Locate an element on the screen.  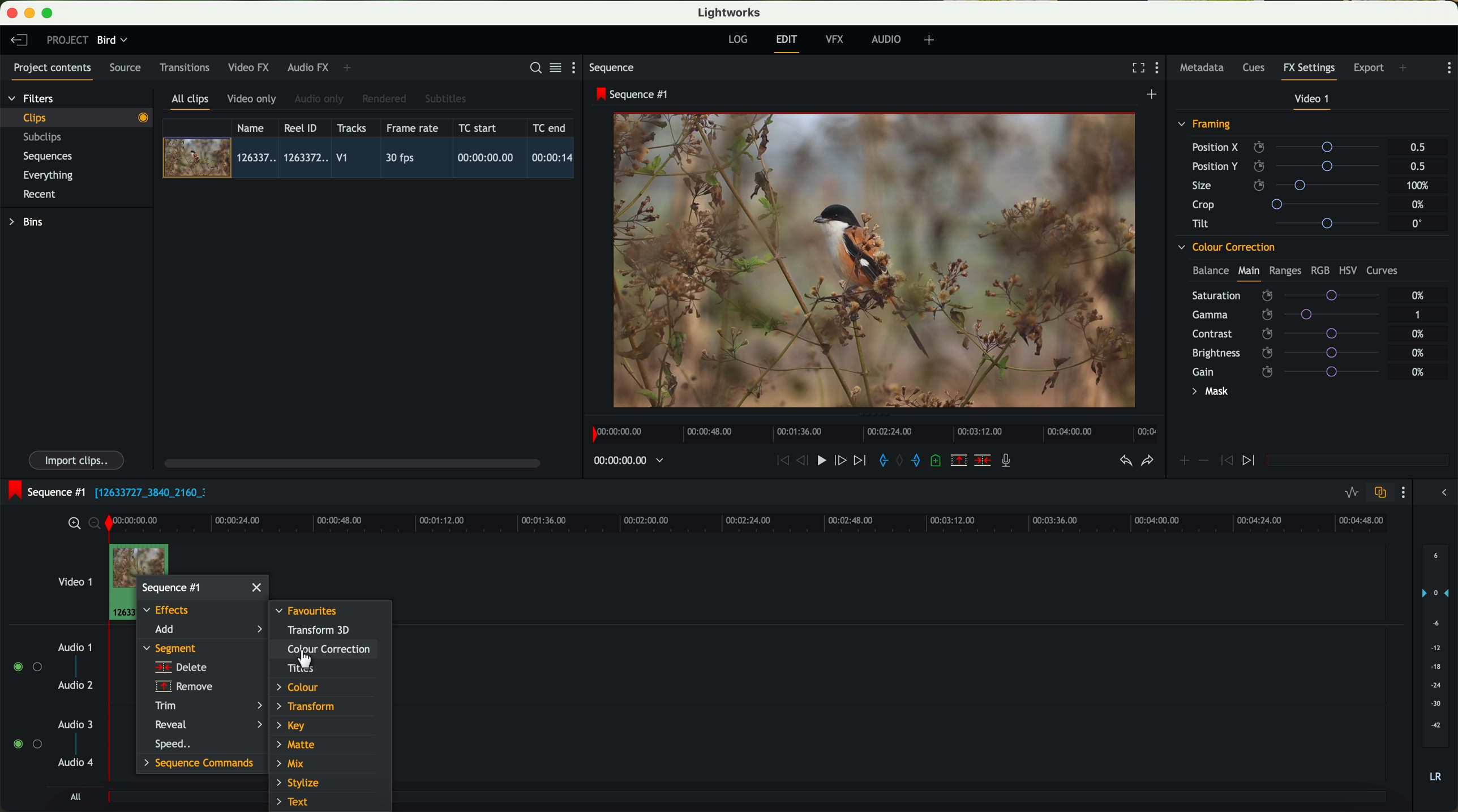
fx settings is located at coordinates (1309, 71).